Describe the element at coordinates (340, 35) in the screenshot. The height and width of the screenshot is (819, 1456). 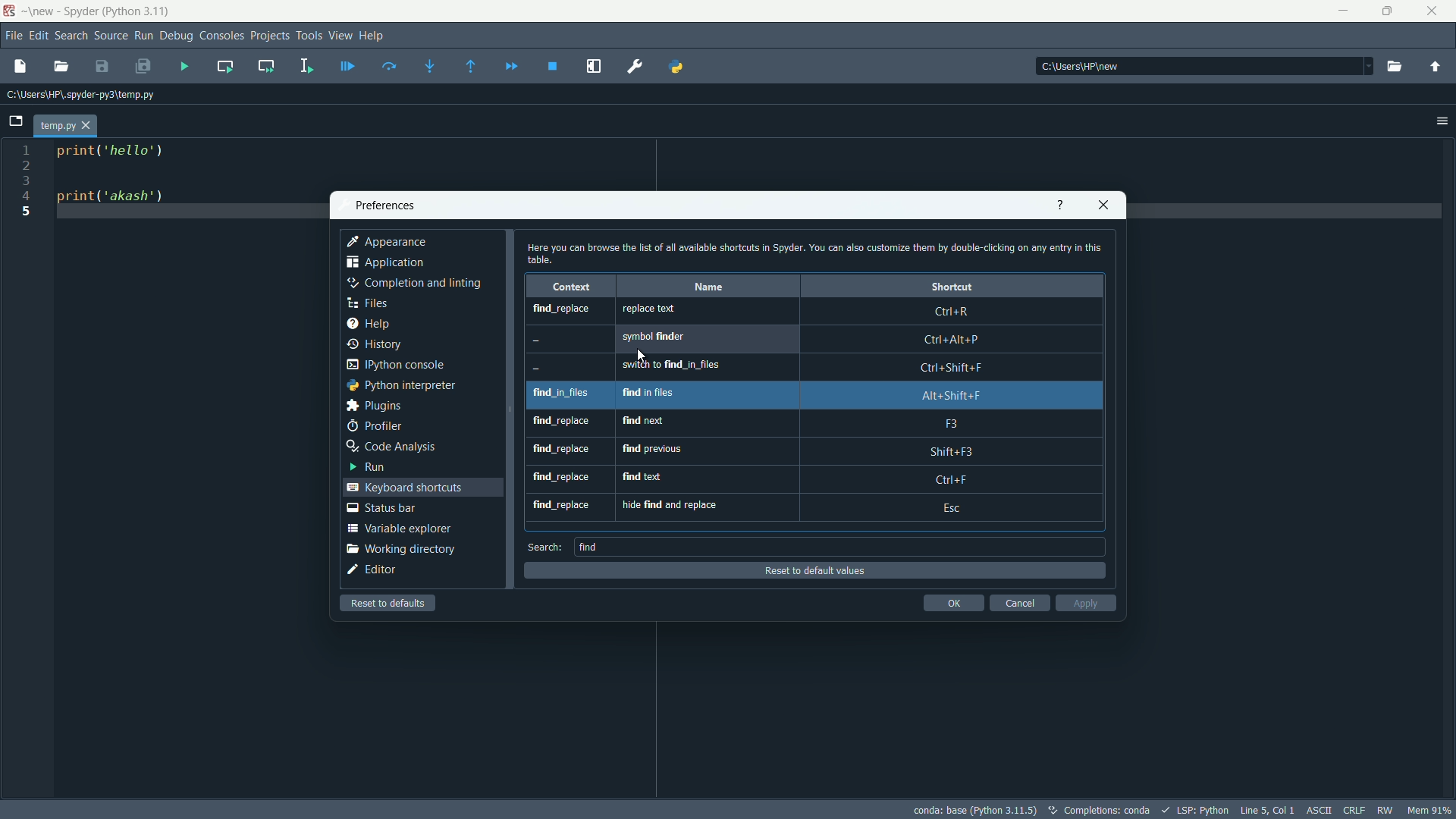
I see `View menu` at that location.